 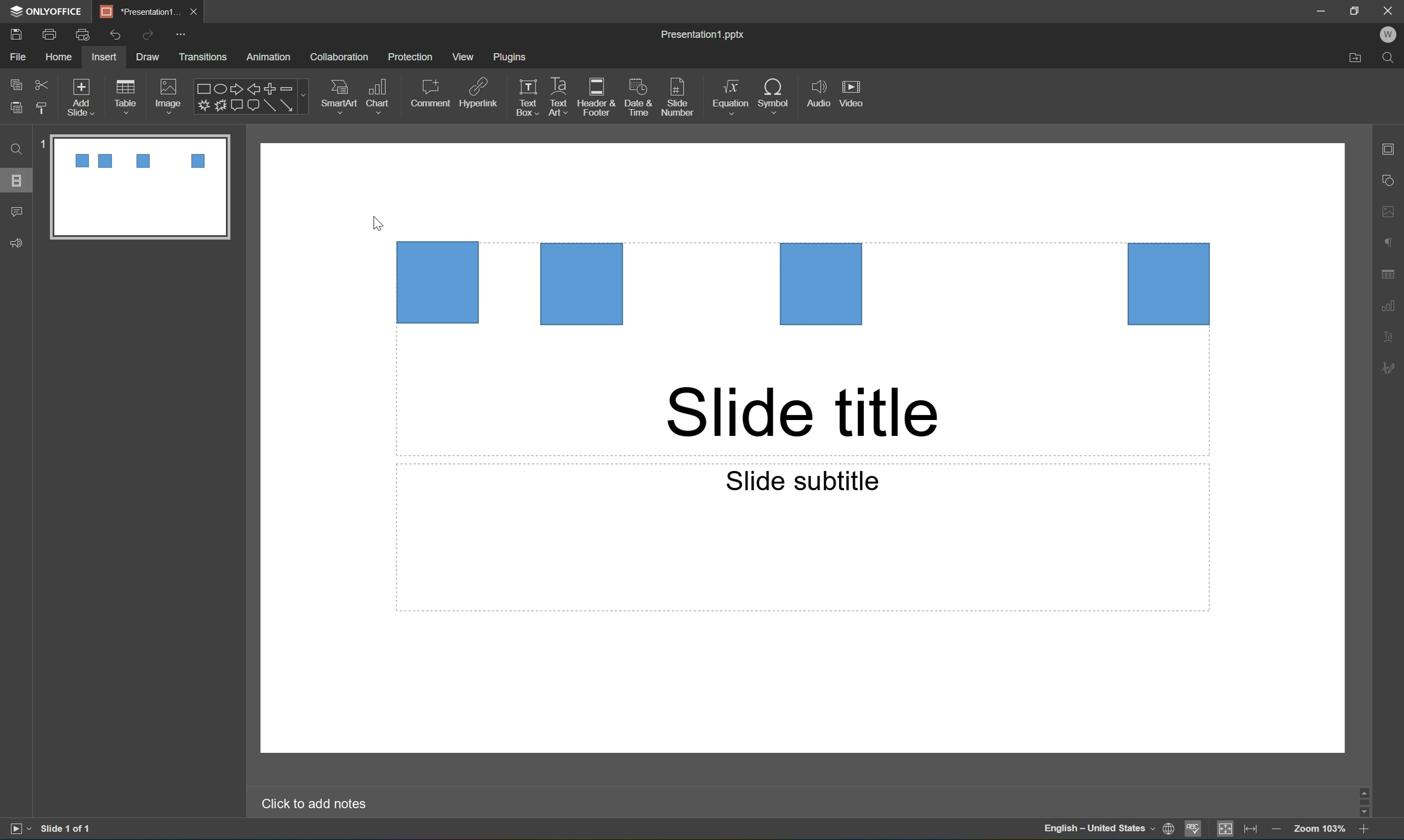 What do you see at coordinates (19, 181) in the screenshot?
I see `slides` at bounding box center [19, 181].